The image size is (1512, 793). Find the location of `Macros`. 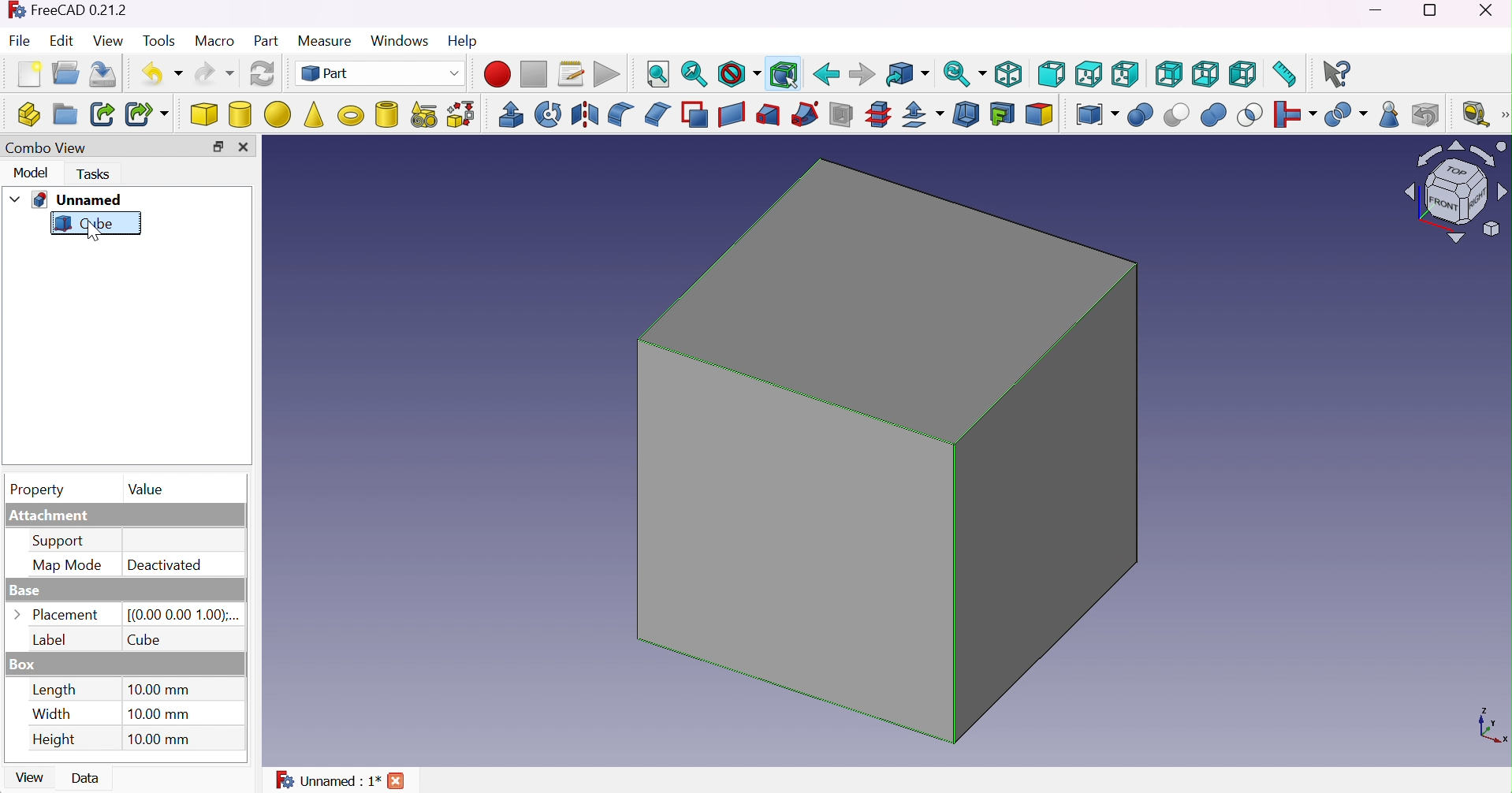

Macros is located at coordinates (572, 75).